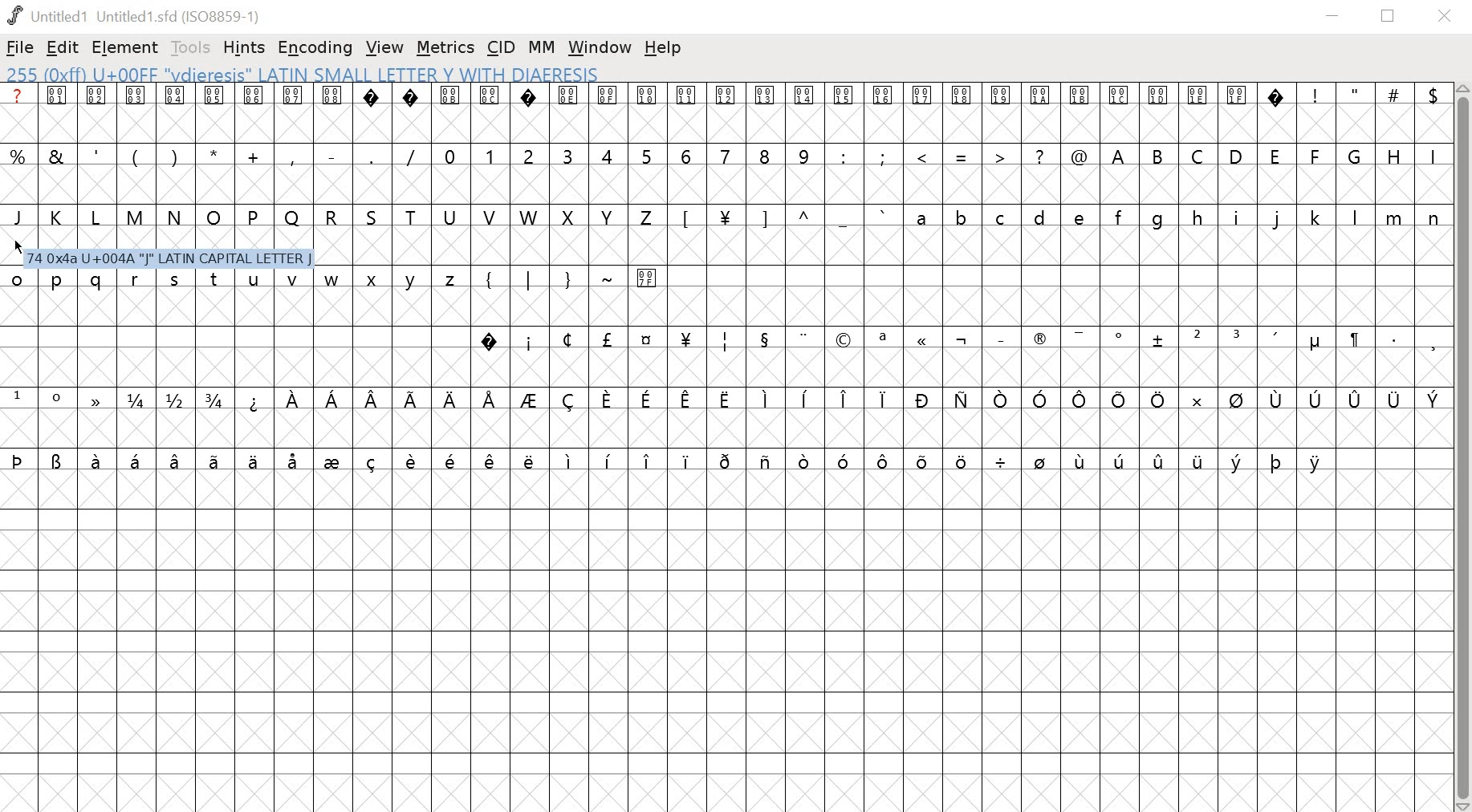 The height and width of the screenshot is (812, 1472). Describe the element at coordinates (644, 95) in the screenshot. I see `glyph symbols` at that location.